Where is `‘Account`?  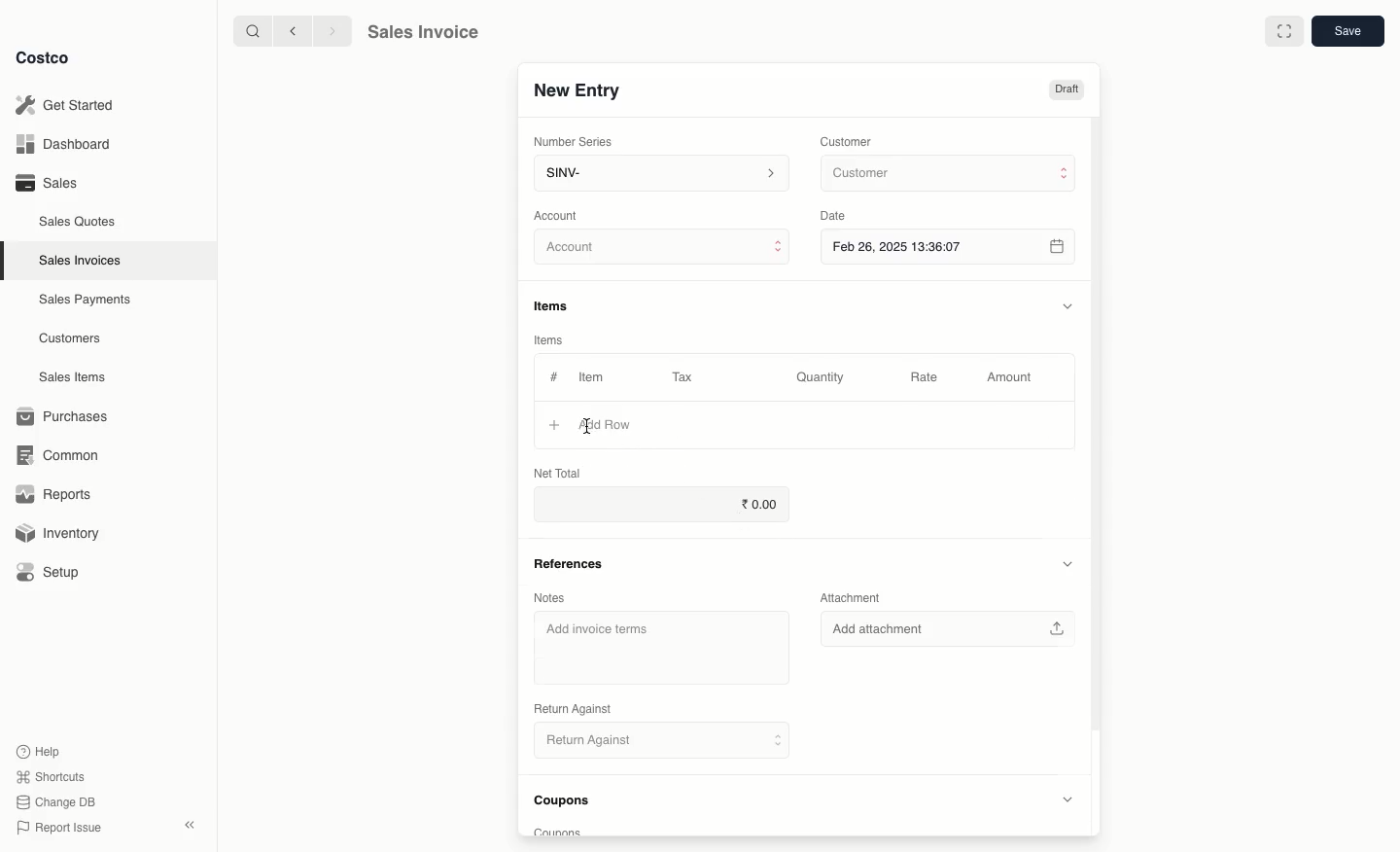 ‘Account is located at coordinates (560, 215).